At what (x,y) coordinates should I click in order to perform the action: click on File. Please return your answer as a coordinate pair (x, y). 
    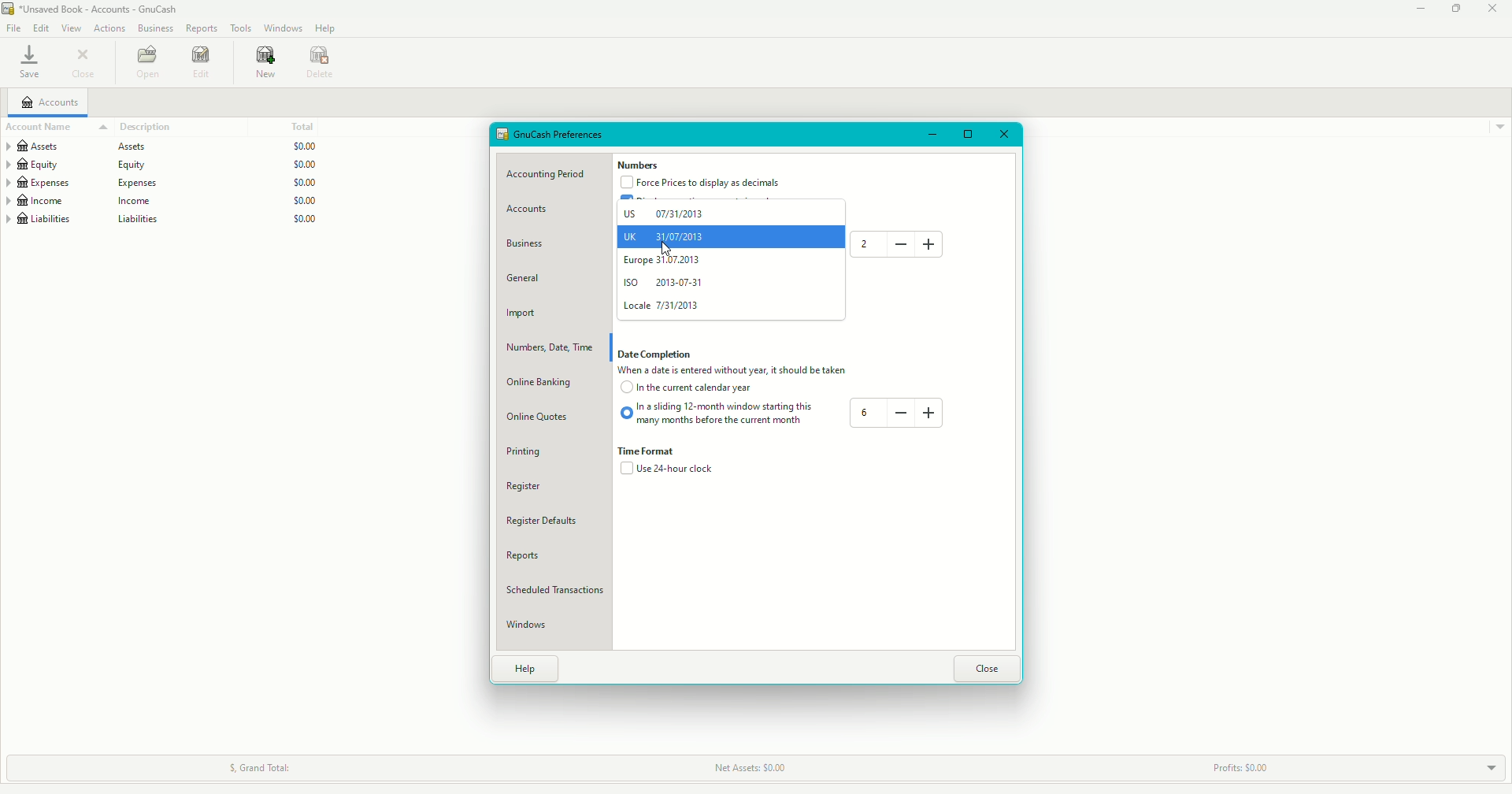
    Looking at the image, I should click on (14, 28).